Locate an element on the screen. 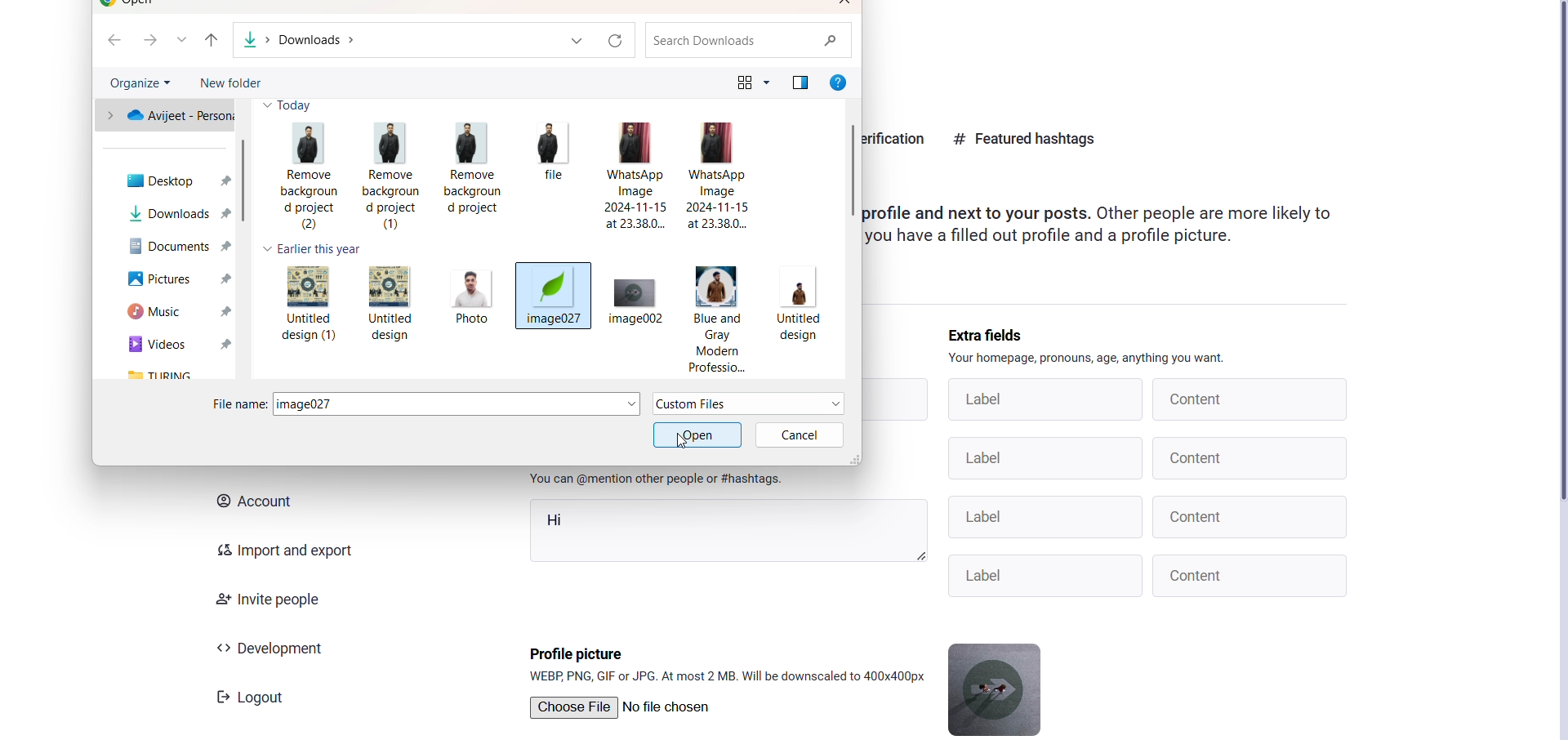  earlier this year is located at coordinates (309, 249).